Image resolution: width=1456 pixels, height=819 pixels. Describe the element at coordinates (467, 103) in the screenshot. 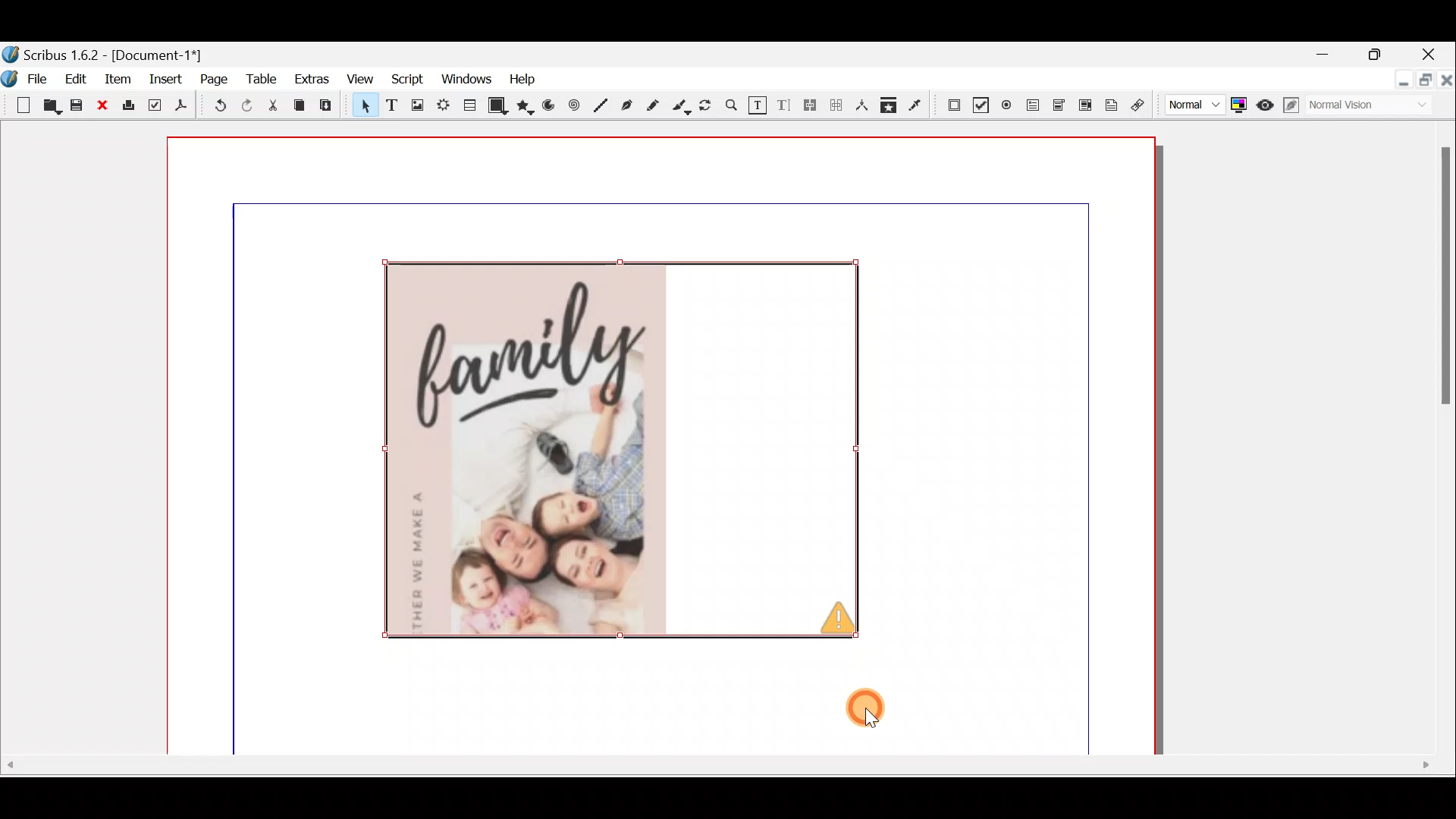

I see `Table` at that location.